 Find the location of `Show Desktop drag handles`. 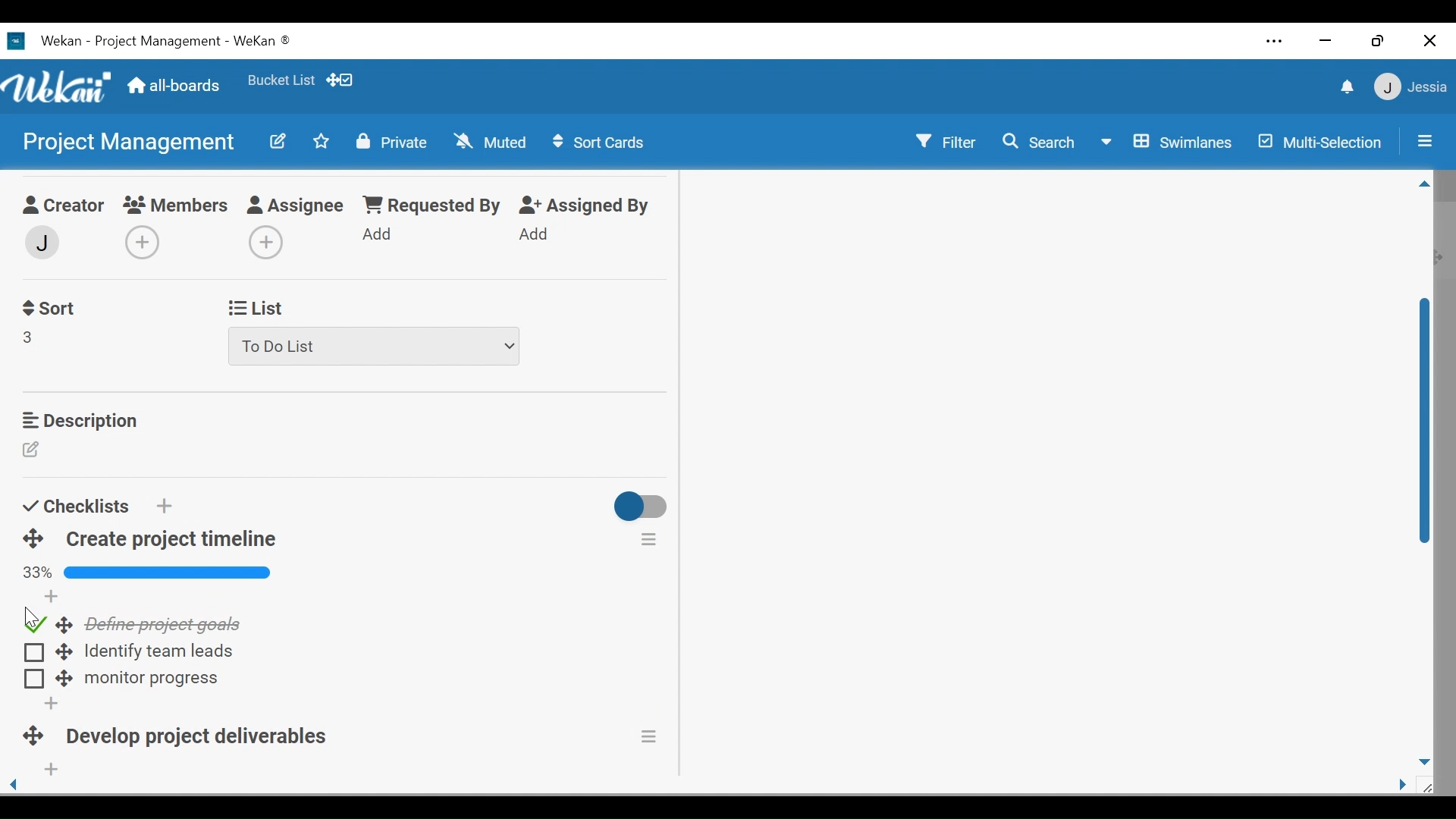

Show Desktop drag handles is located at coordinates (340, 80).